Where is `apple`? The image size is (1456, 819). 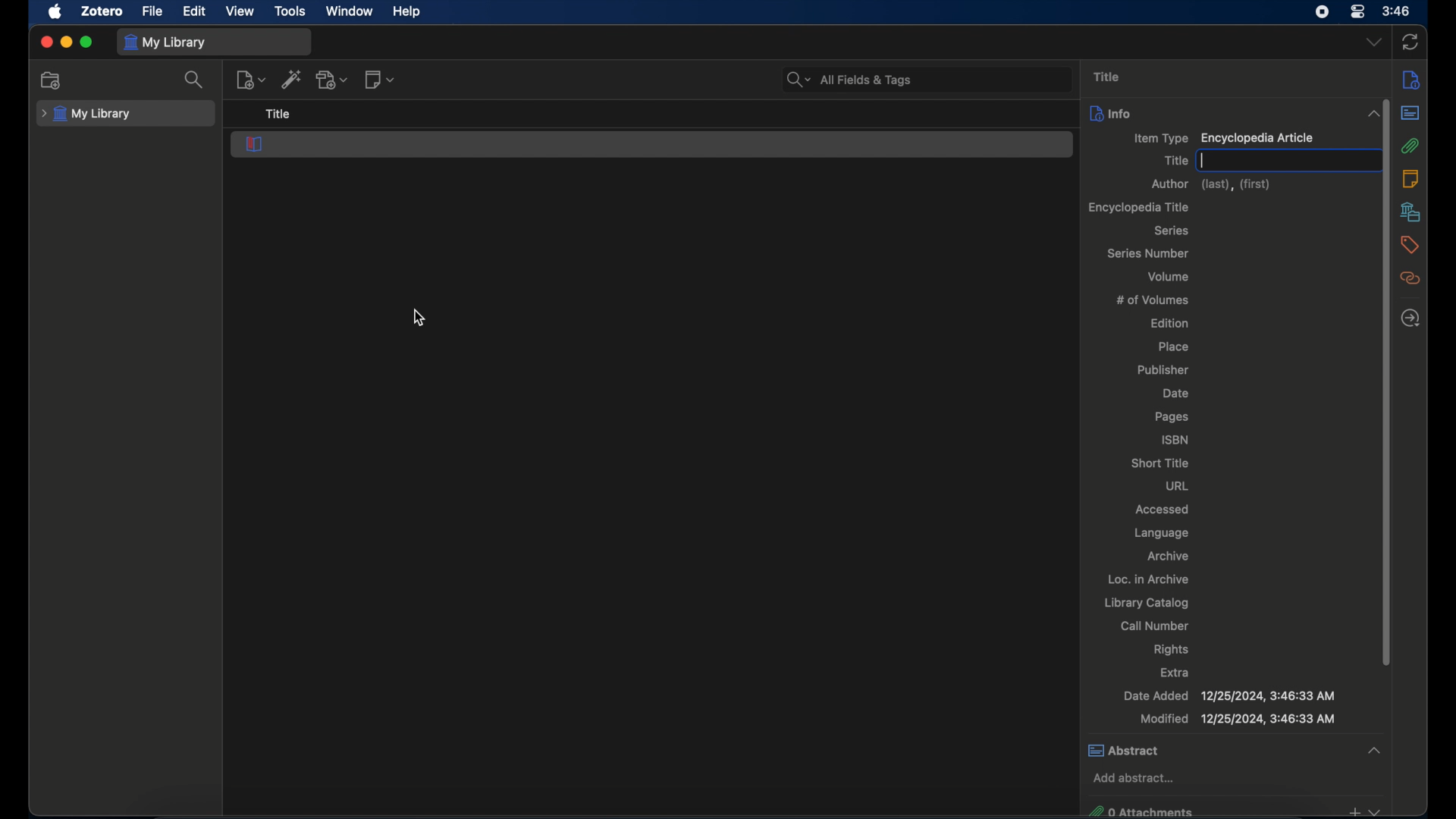 apple is located at coordinates (55, 11).